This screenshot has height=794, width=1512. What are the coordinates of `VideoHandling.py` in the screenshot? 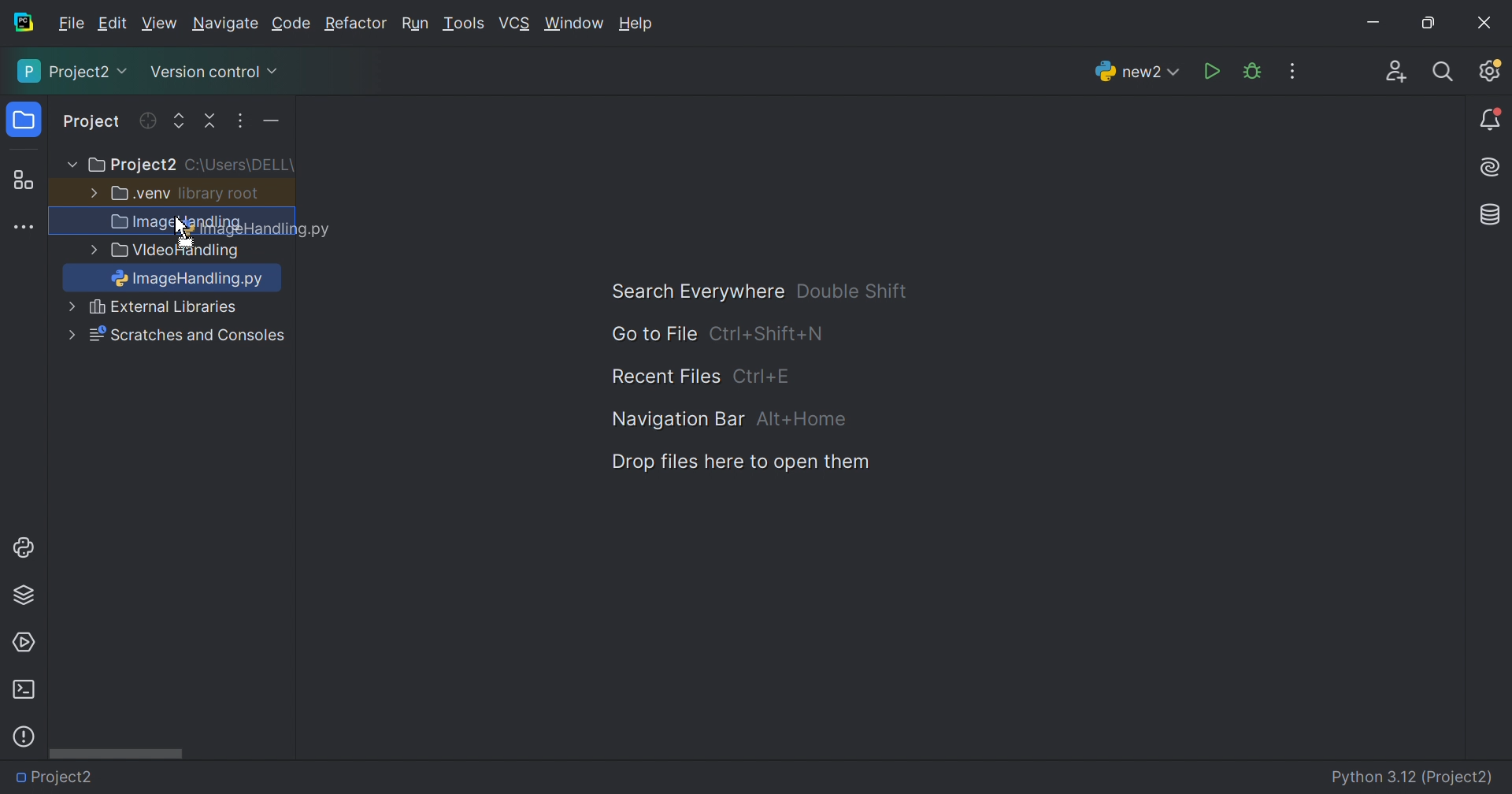 It's located at (198, 775).